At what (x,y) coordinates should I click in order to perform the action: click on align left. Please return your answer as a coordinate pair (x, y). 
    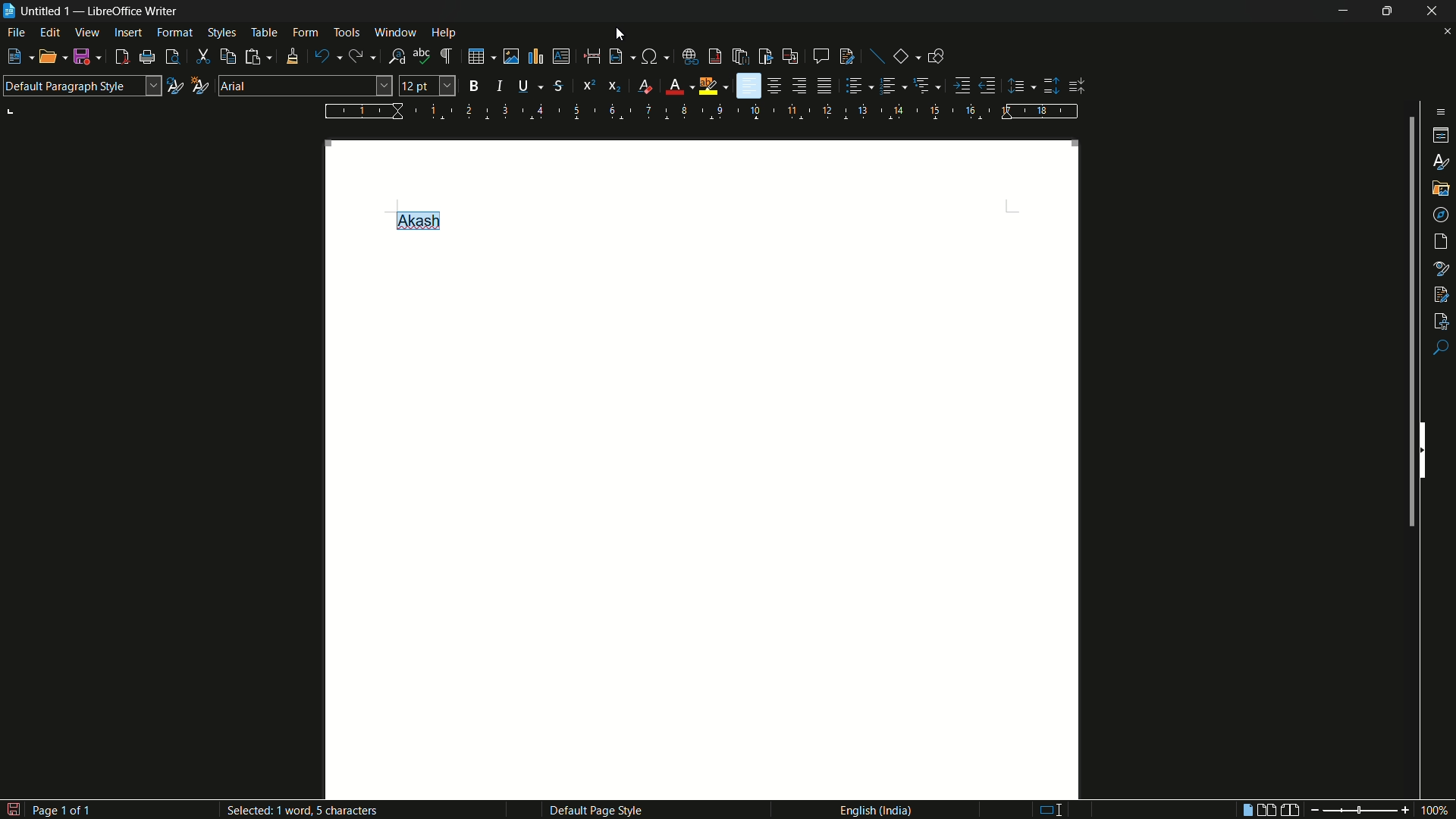
    Looking at the image, I should click on (748, 86).